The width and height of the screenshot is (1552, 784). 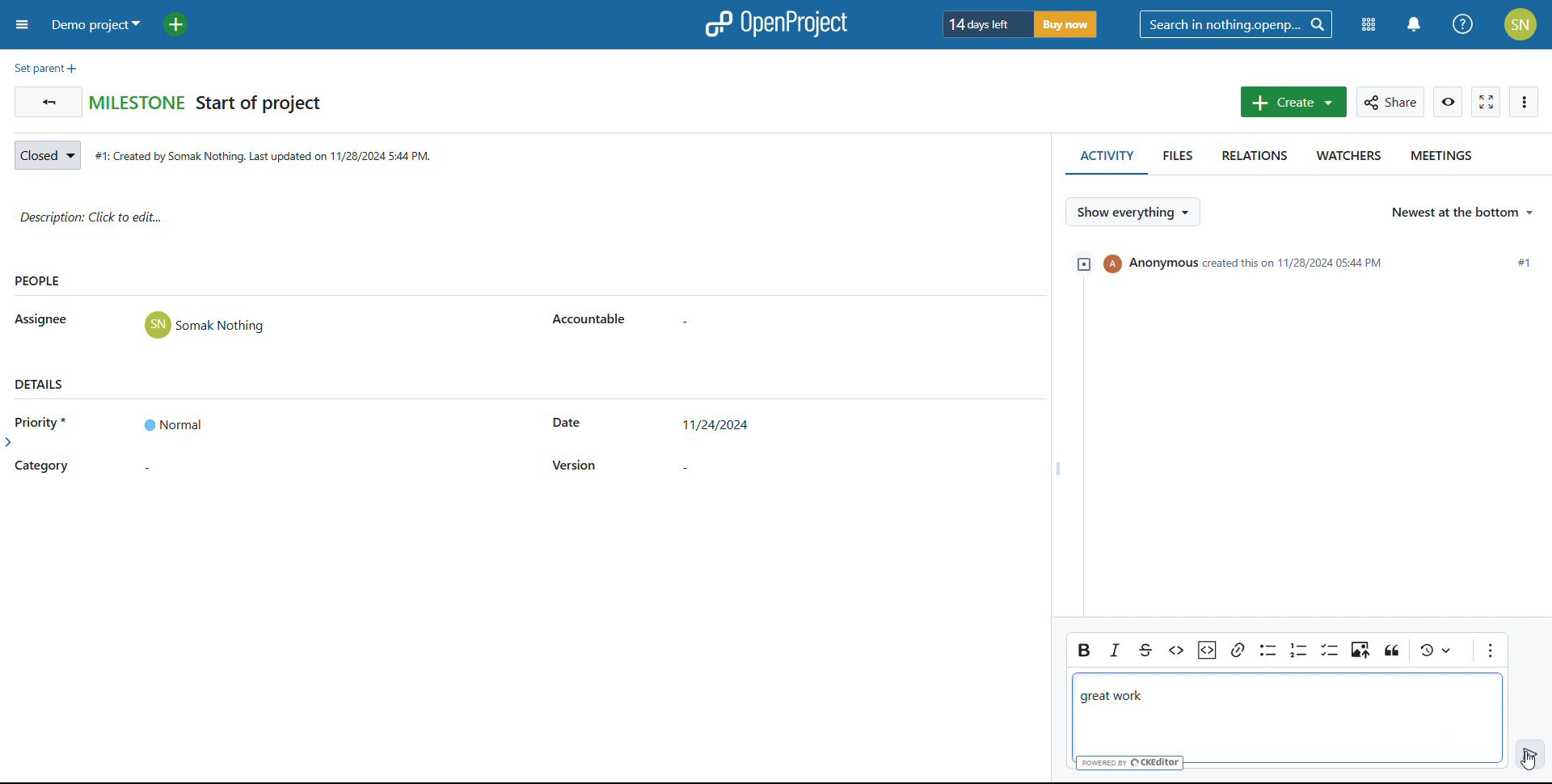 What do you see at coordinates (1068, 23) in the screenshot?
I see `buy now` at bounding box center [1068, 23].